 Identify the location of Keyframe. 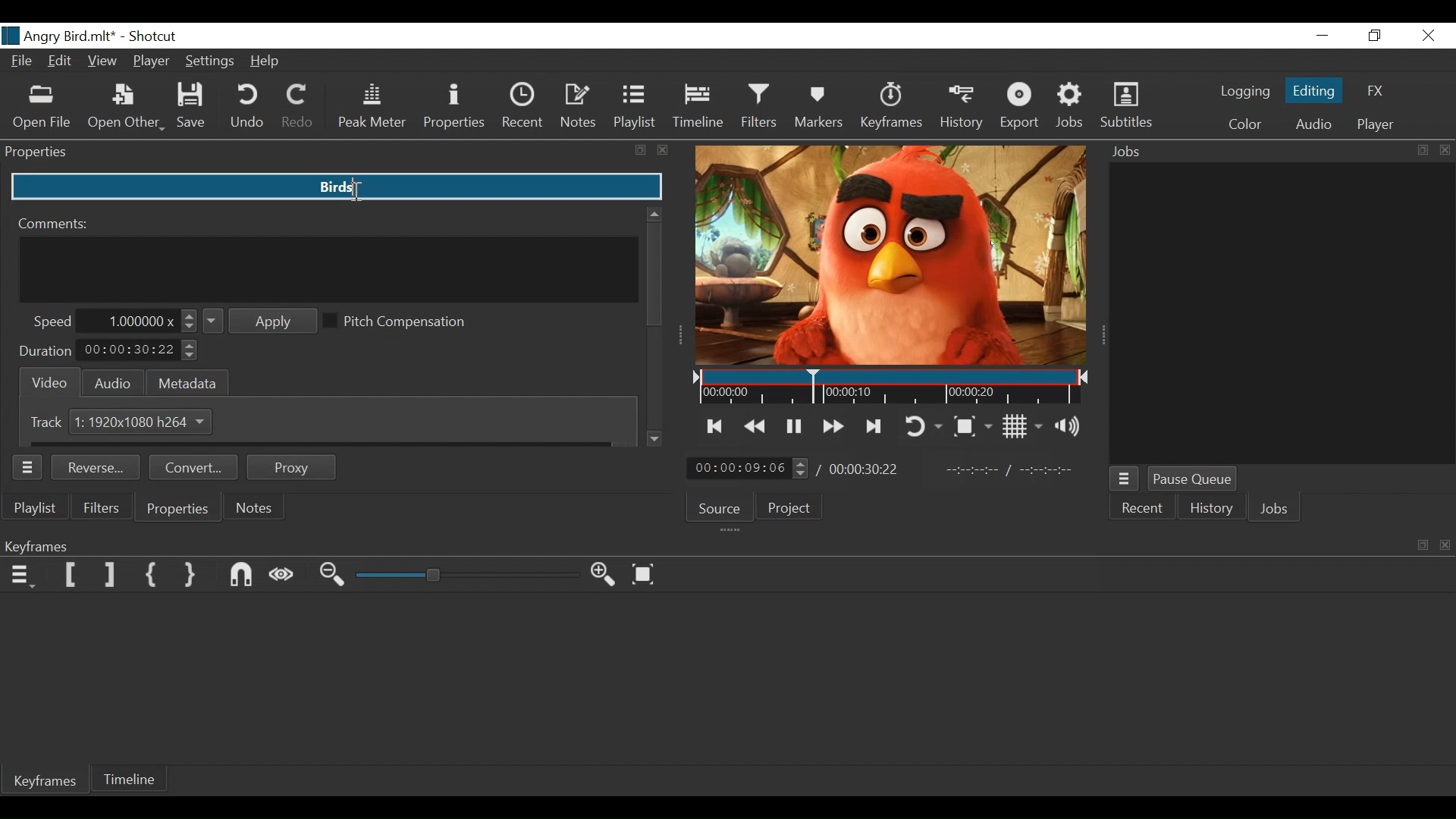
(893, 108).